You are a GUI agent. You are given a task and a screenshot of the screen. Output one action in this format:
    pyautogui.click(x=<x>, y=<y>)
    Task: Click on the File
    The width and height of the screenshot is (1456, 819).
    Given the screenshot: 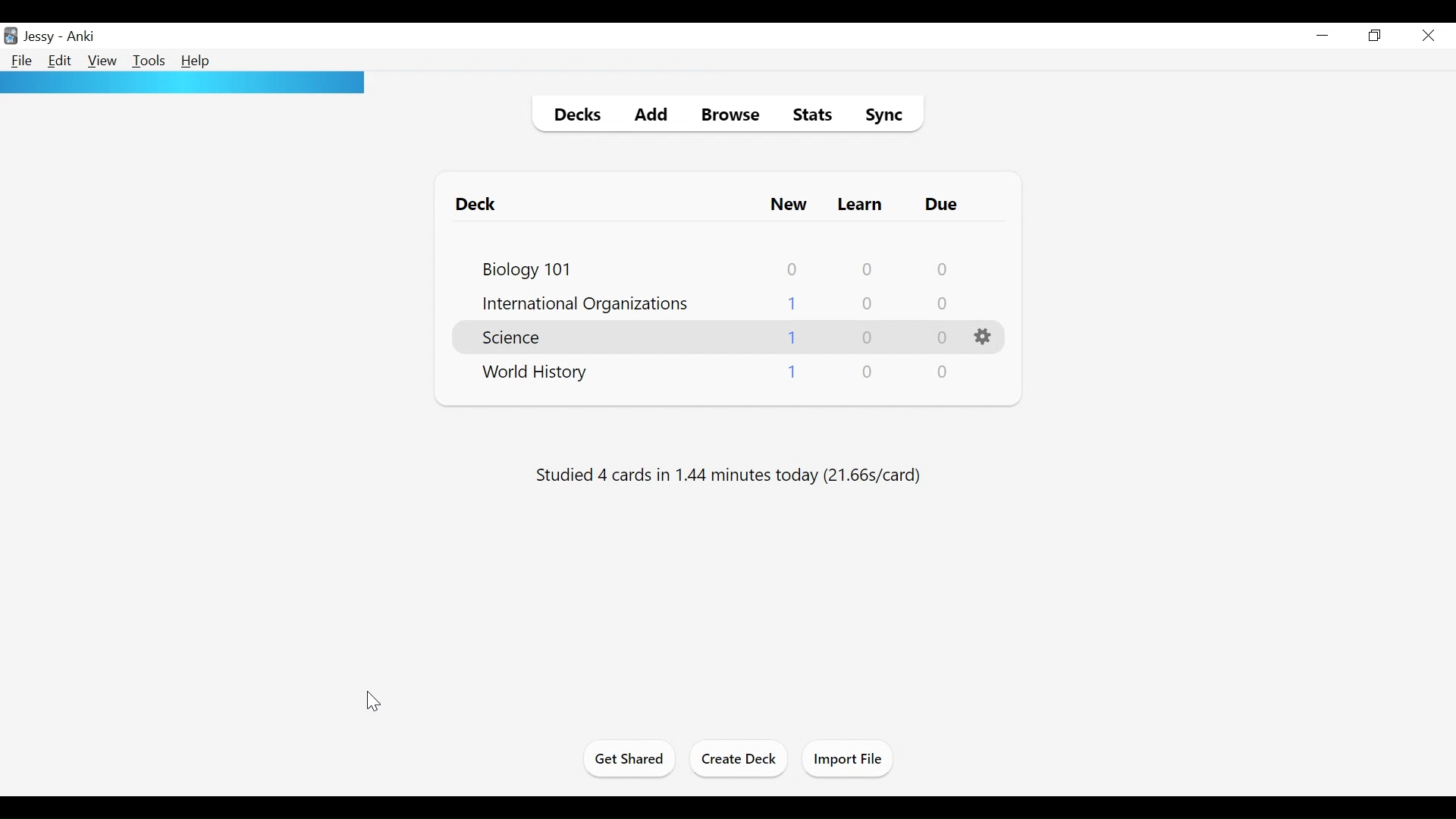 What is the action you would take?
    pyautogui.click(x=21, y=61)
    